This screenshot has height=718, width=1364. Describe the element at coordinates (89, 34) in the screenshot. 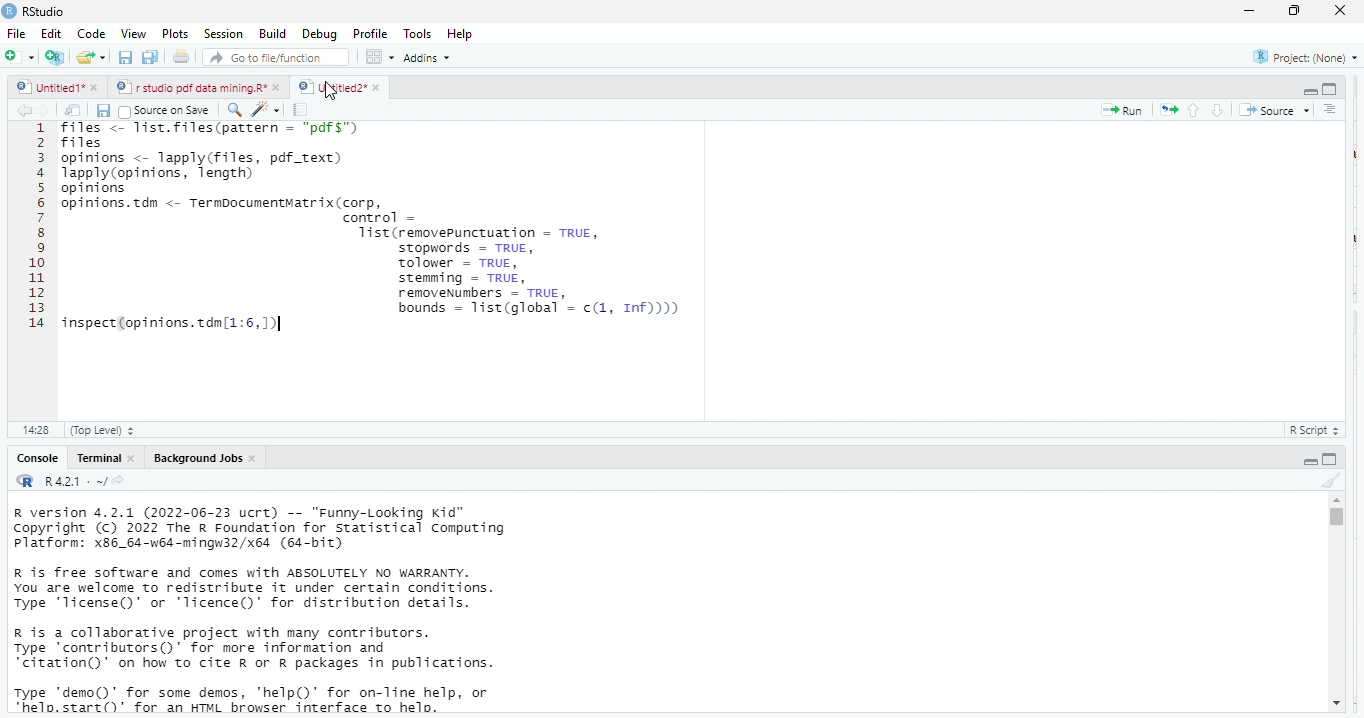

I see `code` at that location.